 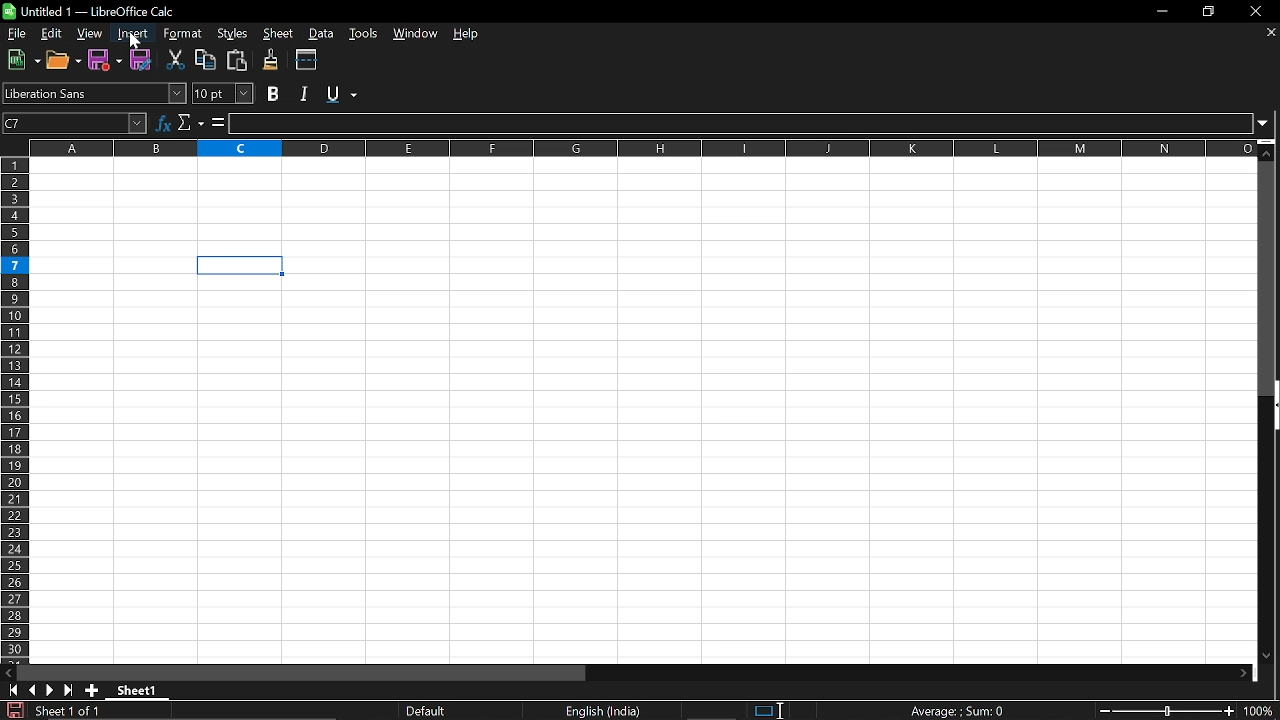 What do you see at coordinates (281, 34) in the screenshot?
I see `Sheet` at bounding box center [281, 34].